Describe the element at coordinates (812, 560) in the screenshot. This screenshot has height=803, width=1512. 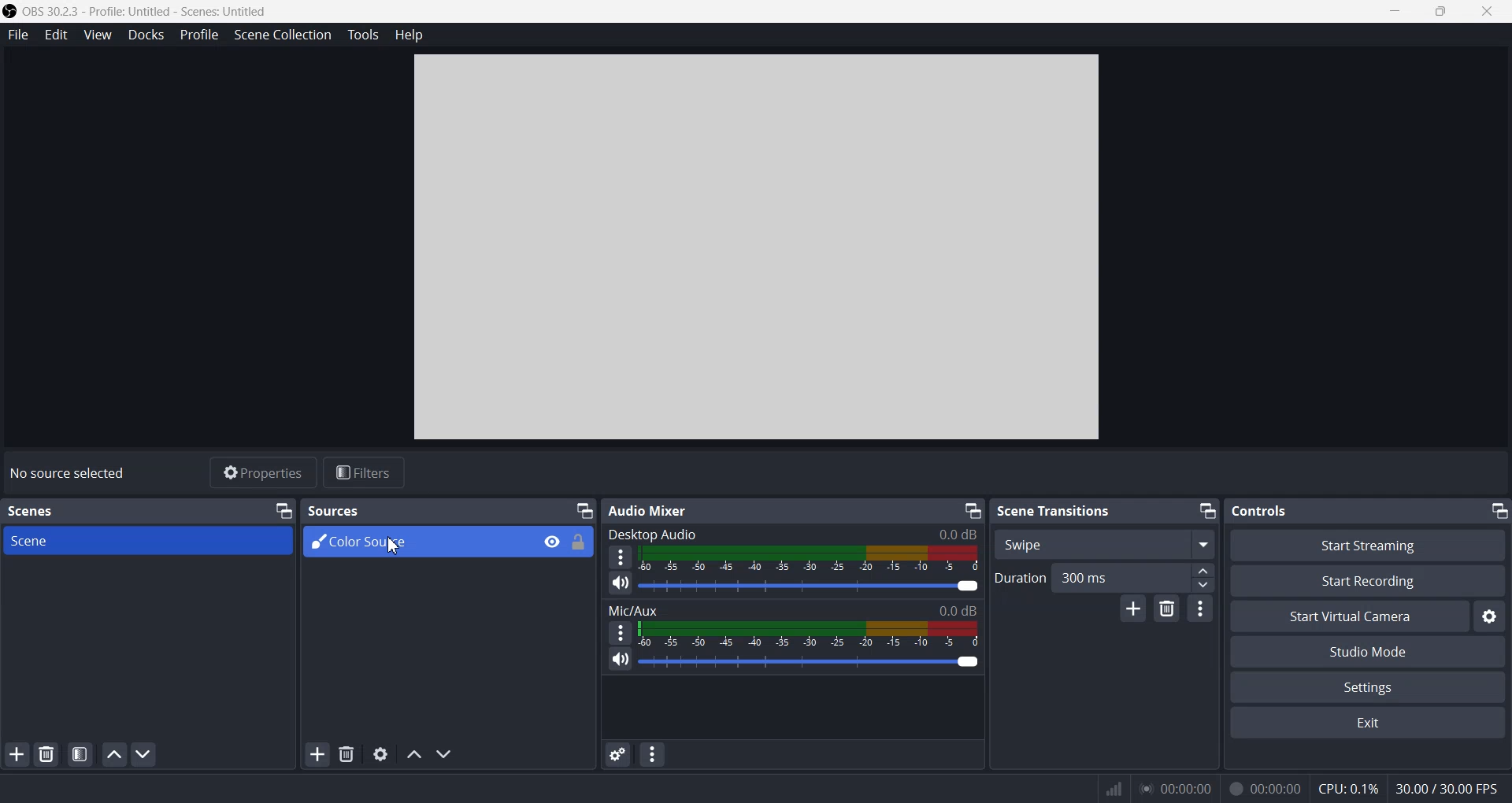
I see `Volume Indicator` at that location.